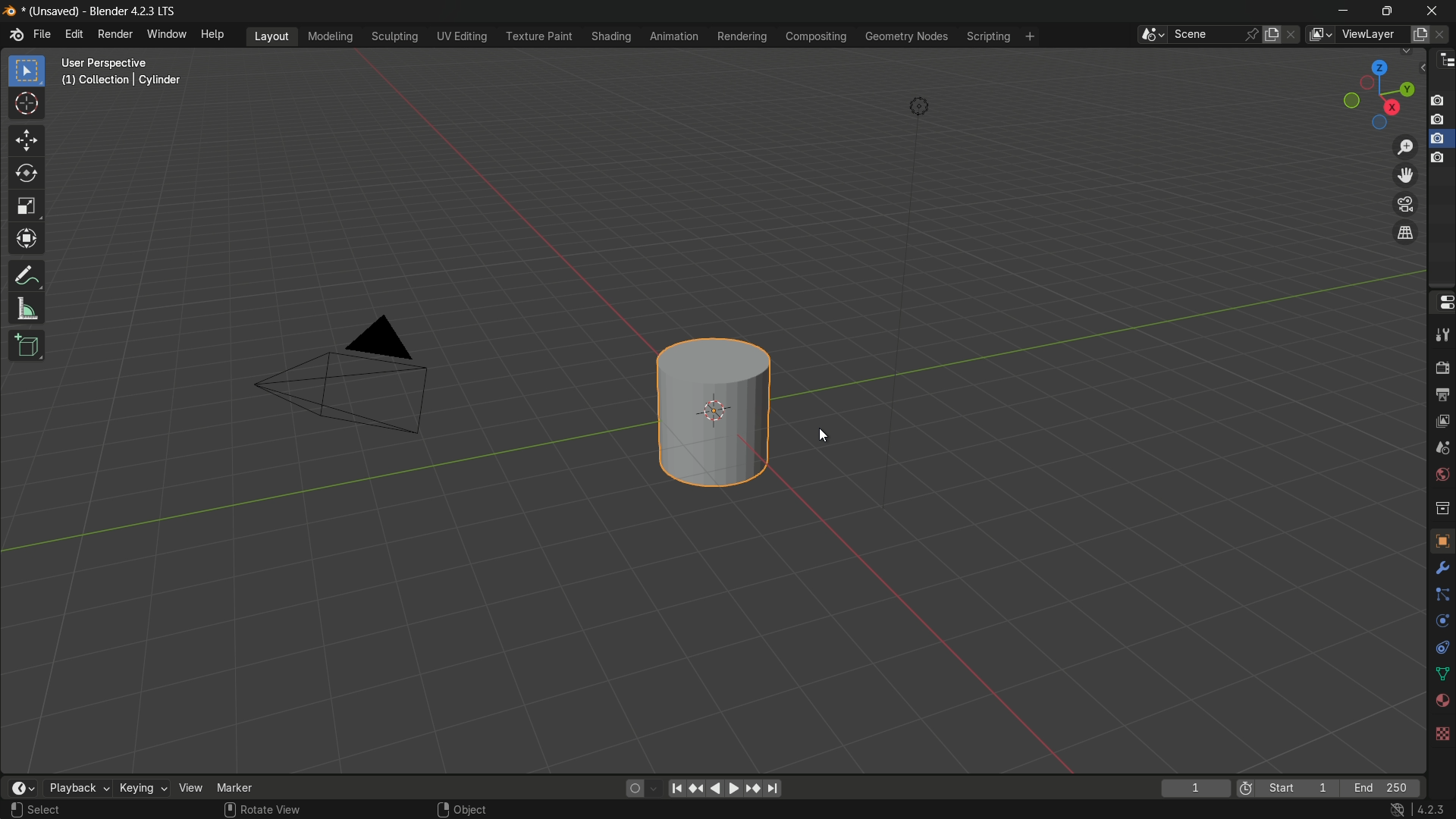 The image size is (1456, 819). What do you see at coordinates (695, 788) in the screenshot?
I see `jump to keyframe` at bounding box center [695, 788].